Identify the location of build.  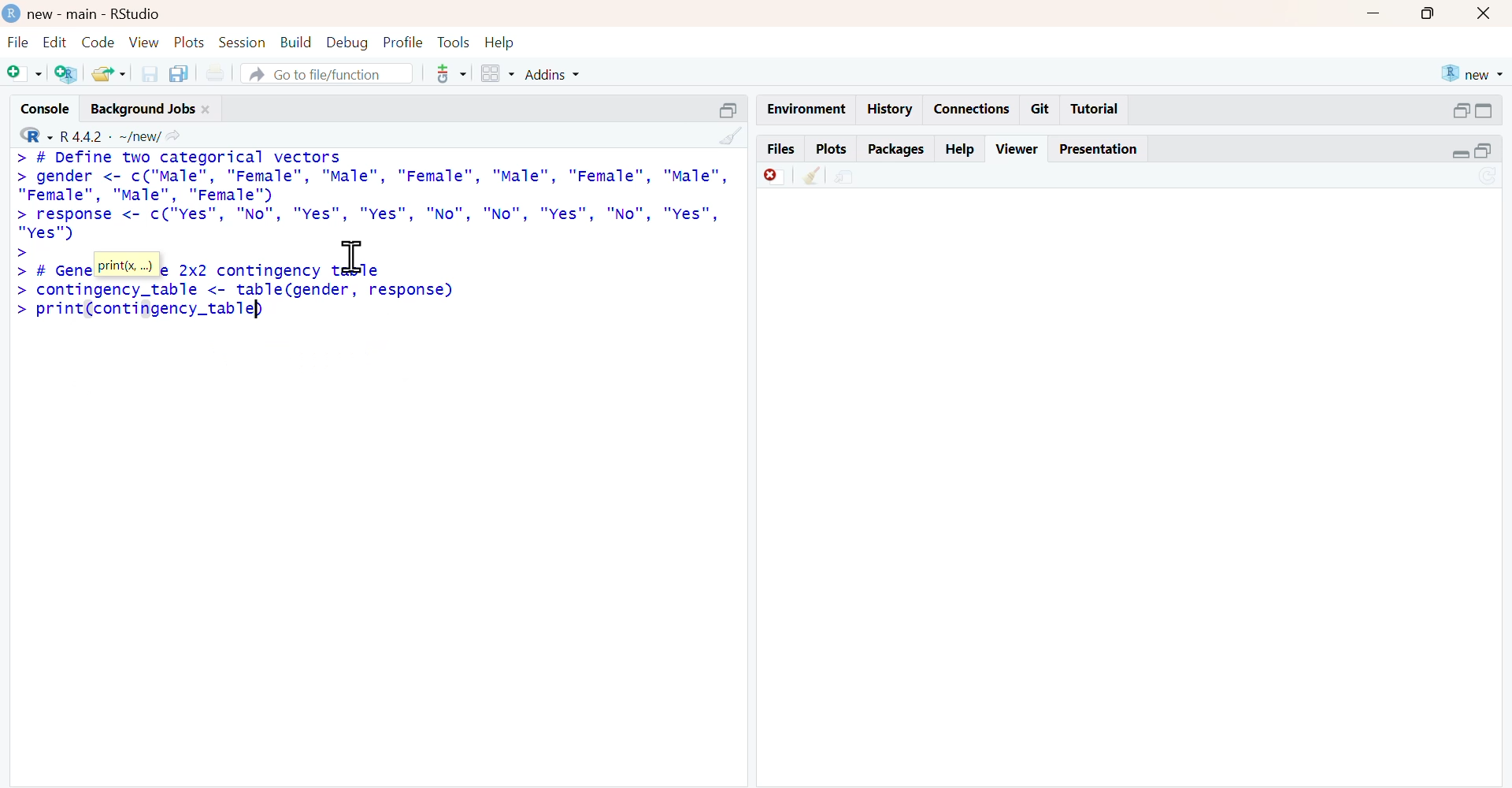
(297, 42).